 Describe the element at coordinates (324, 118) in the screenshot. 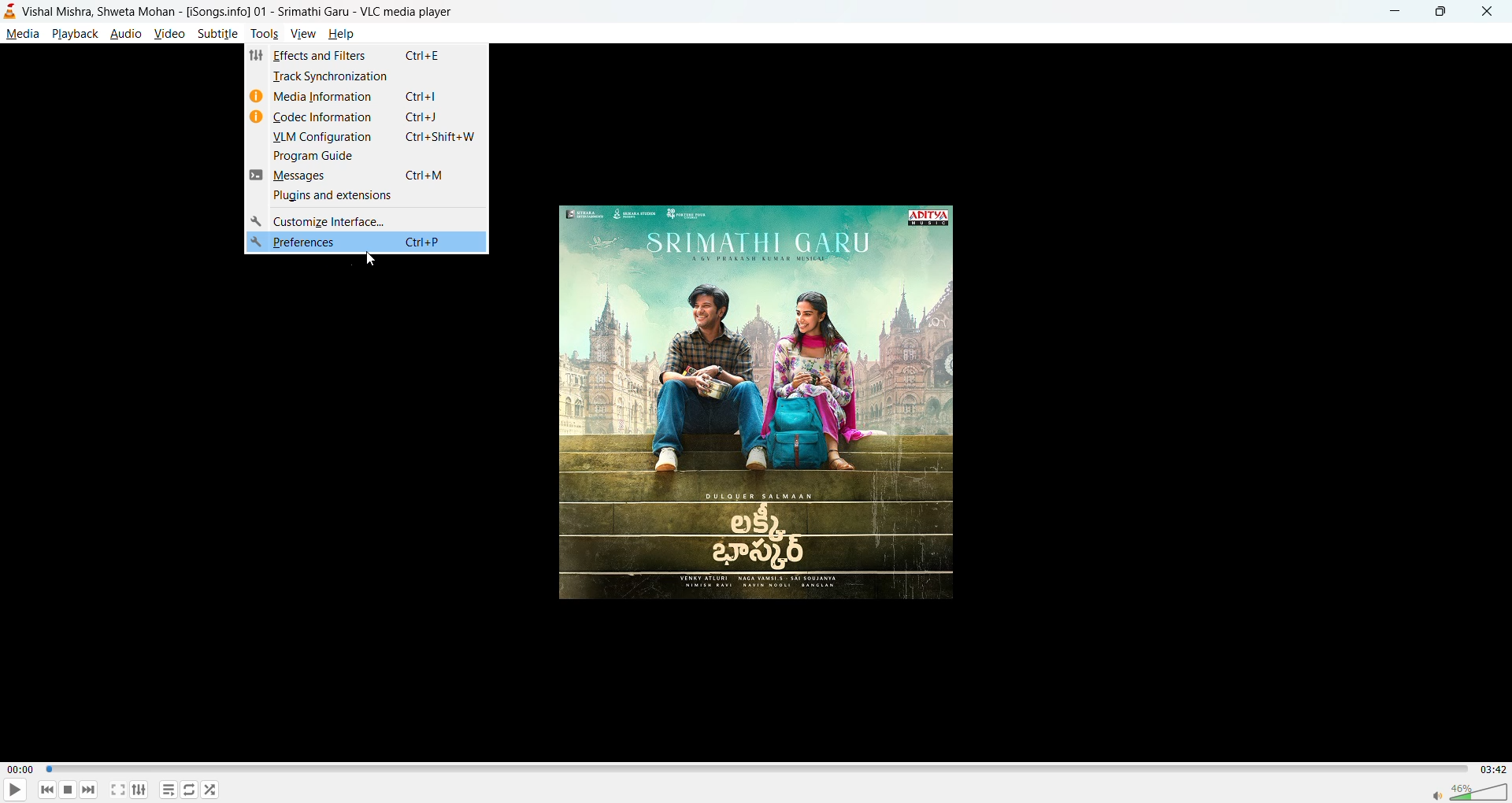

I see `codec information` at that location.